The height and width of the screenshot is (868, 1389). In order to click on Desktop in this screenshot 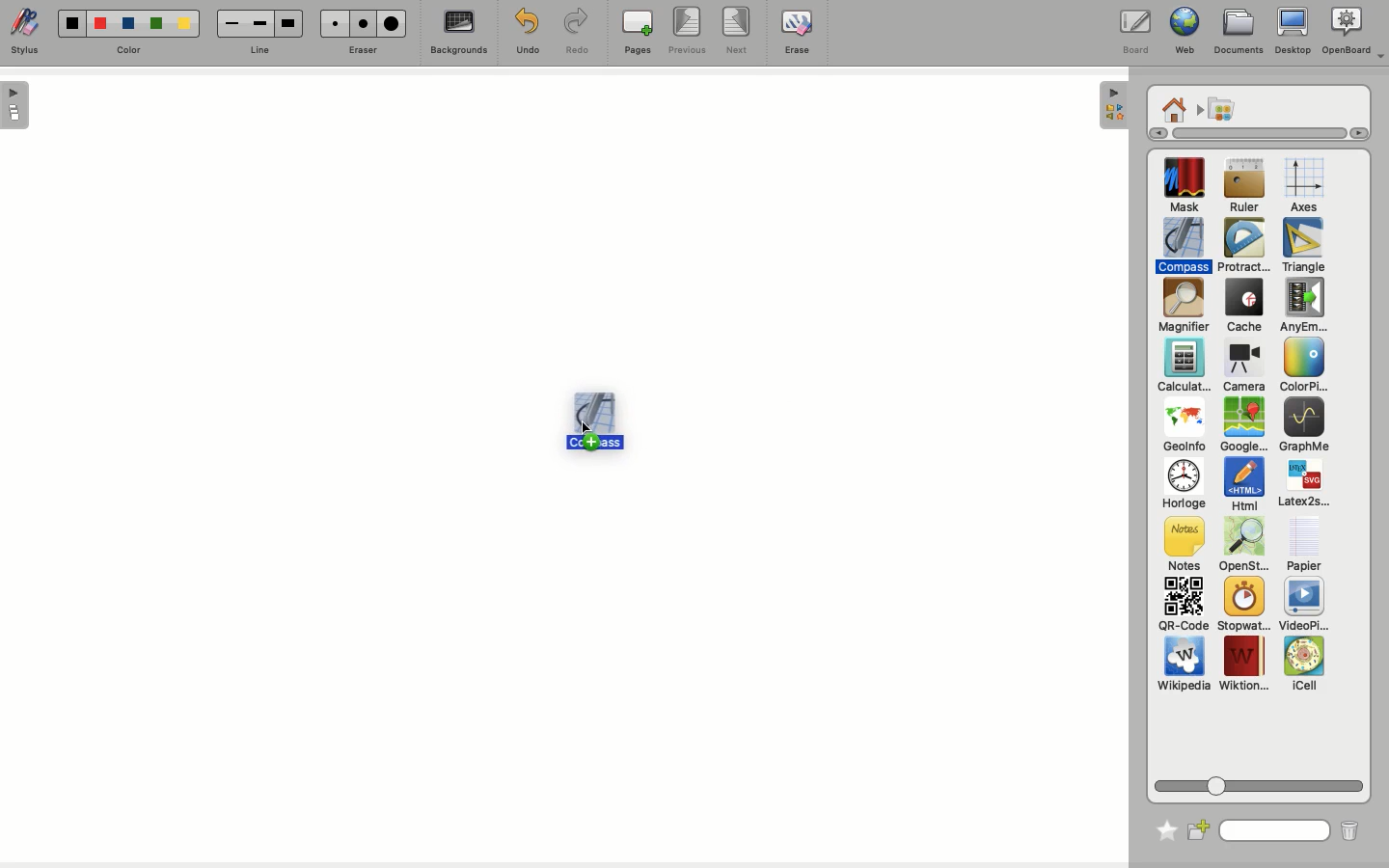, I will do `click(1293, 35)`.